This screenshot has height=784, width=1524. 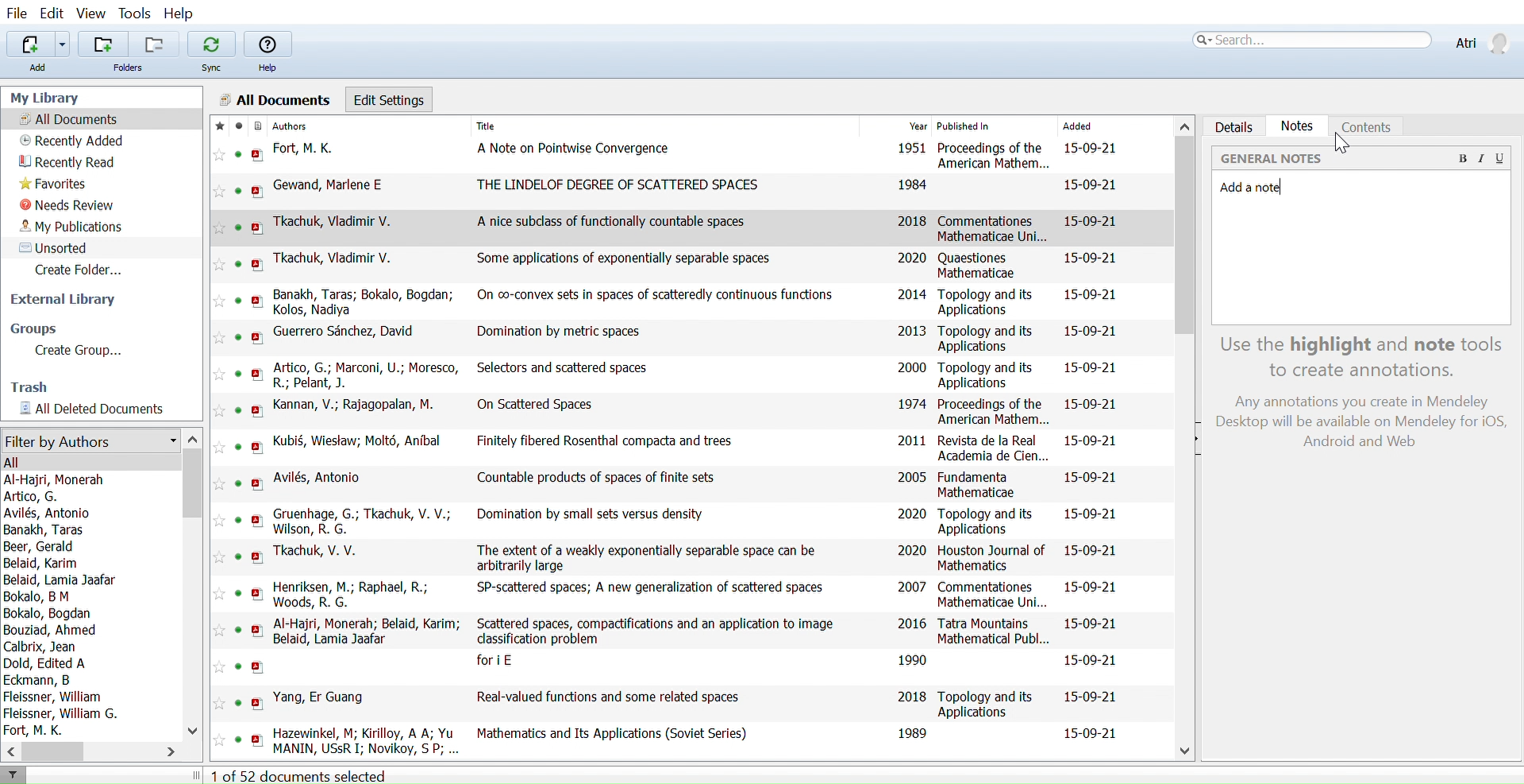 What do you see at coordinates (10, 751) in the screenshot?
I see `Move left in filter by authors` at bounding box center [10, 751].